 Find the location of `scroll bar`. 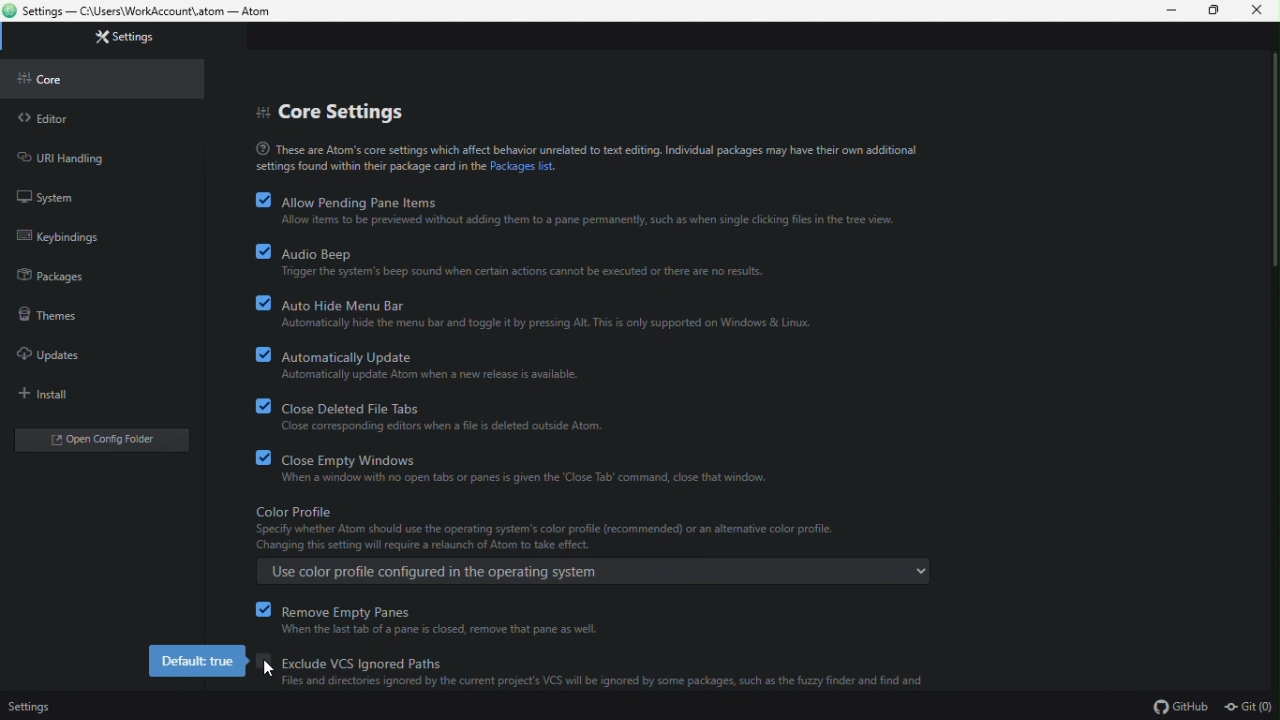

scroll bar is located at coordinates (1271, 203).